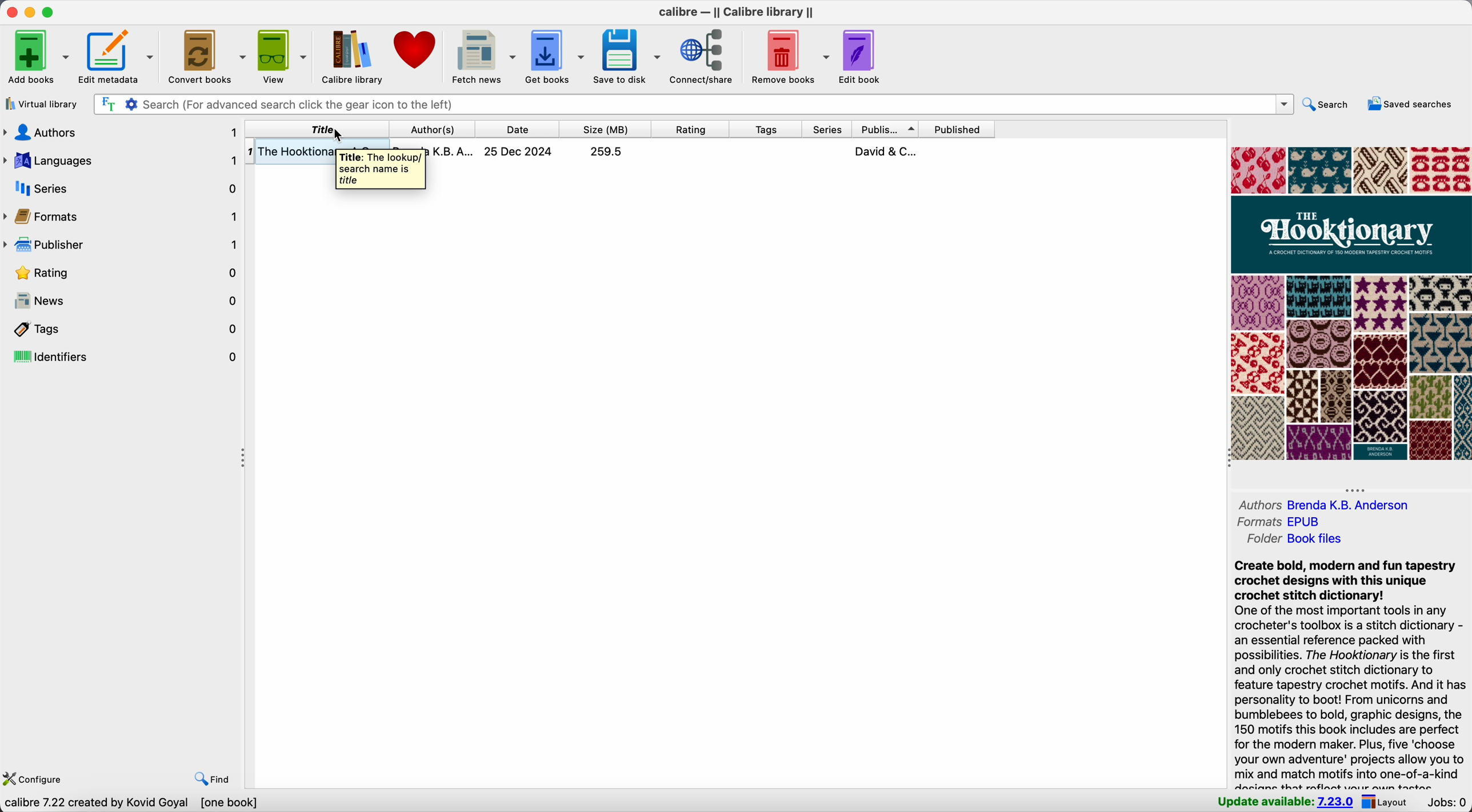  Describe the element at coordinates (789, 57) in the screenshot. I see `remove books` at that location.